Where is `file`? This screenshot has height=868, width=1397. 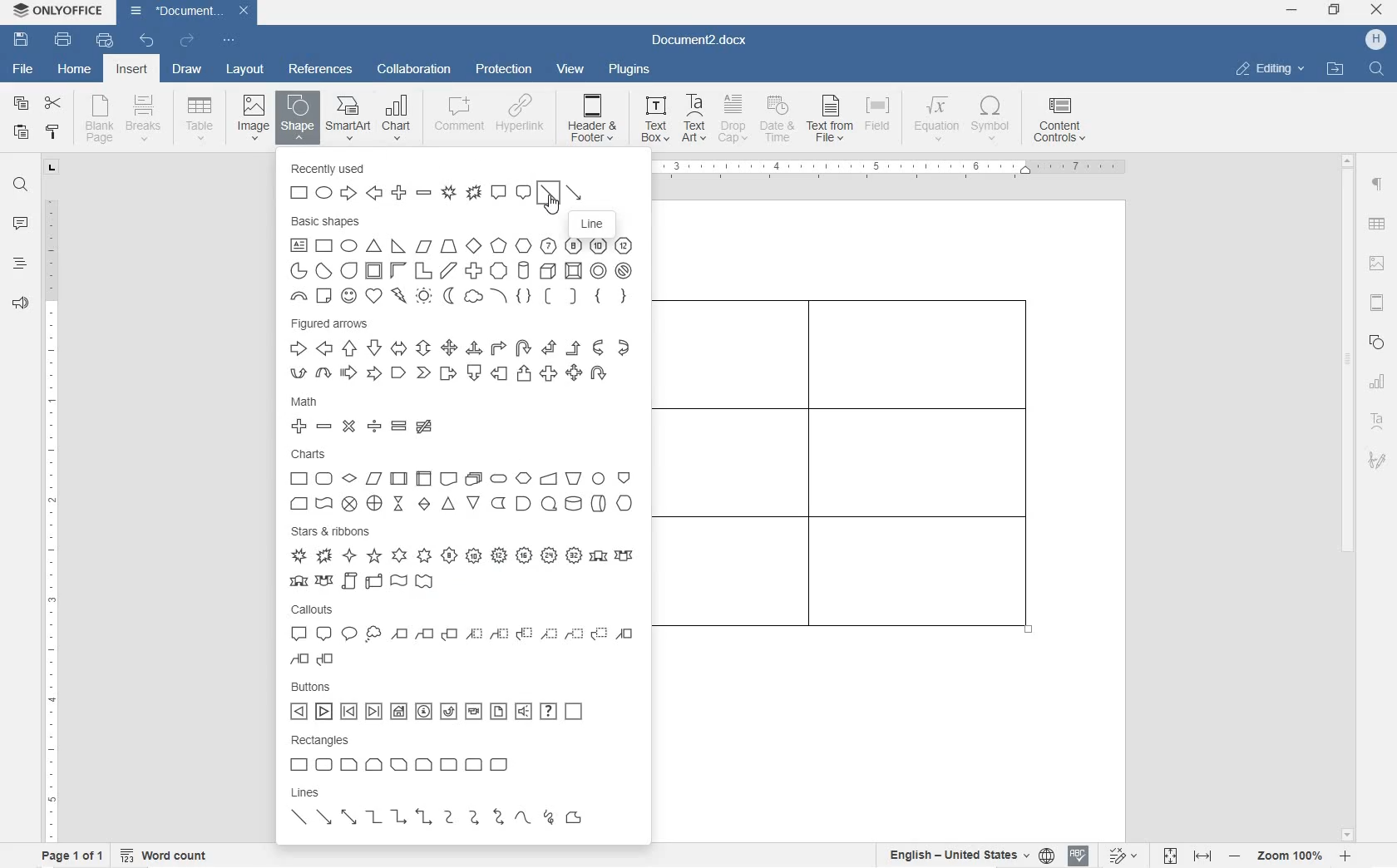
file is located at coordinates (26, 71).